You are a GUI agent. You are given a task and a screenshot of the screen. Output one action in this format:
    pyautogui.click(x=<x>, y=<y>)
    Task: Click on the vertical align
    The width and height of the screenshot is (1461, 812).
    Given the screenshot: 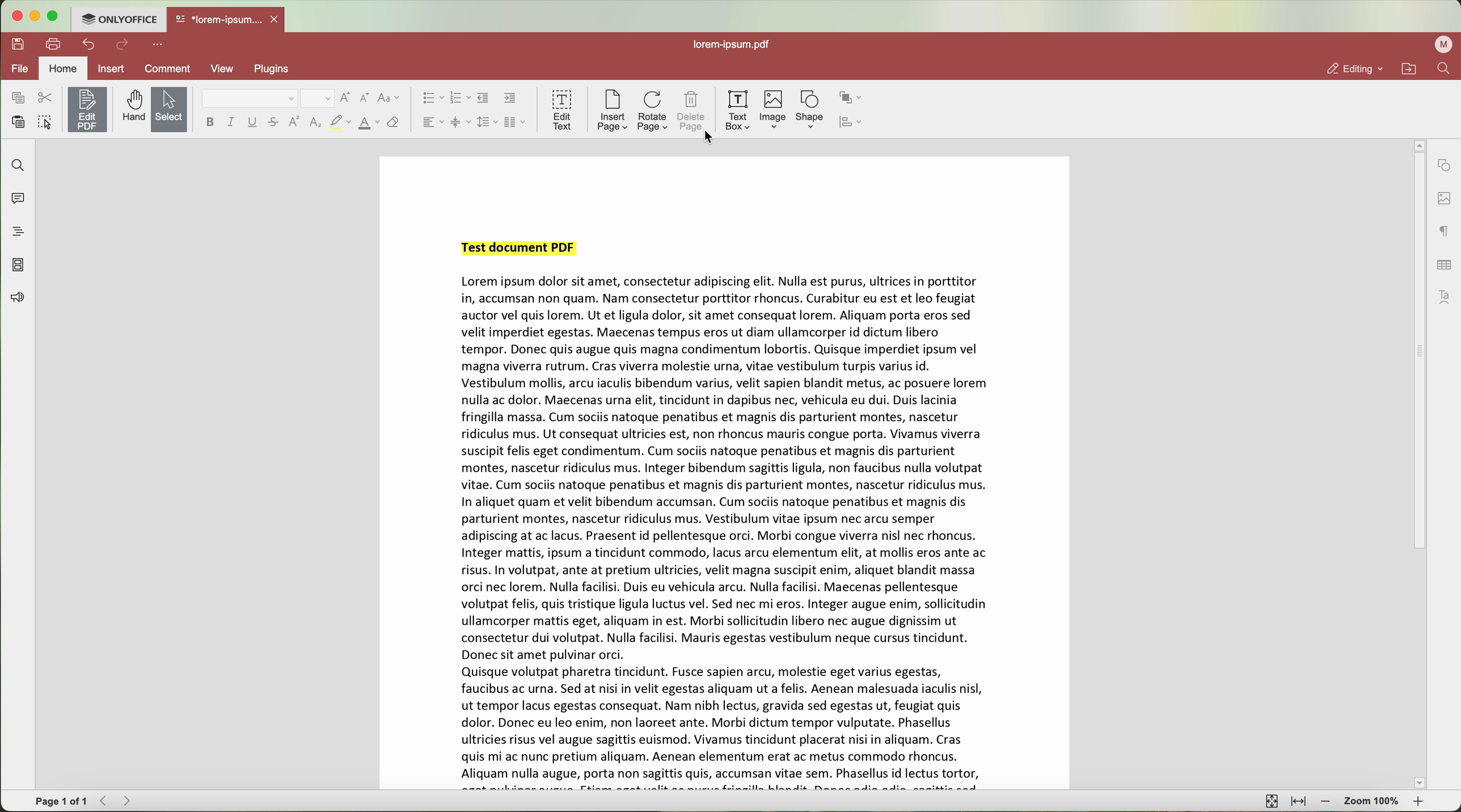 What is the action you would take?
    pyautogui.click(x=462, y=122)
    